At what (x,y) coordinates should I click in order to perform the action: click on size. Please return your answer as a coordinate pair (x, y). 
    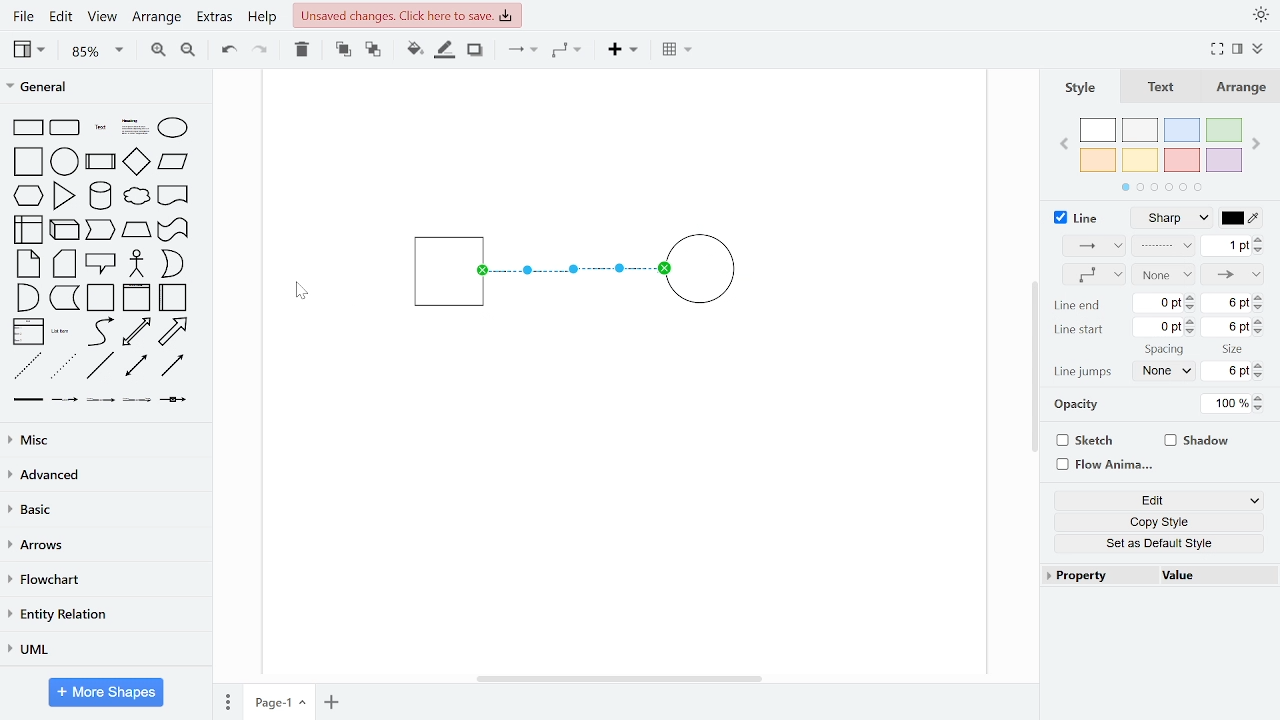
    Looking at the image, I should click on (1234, 350).